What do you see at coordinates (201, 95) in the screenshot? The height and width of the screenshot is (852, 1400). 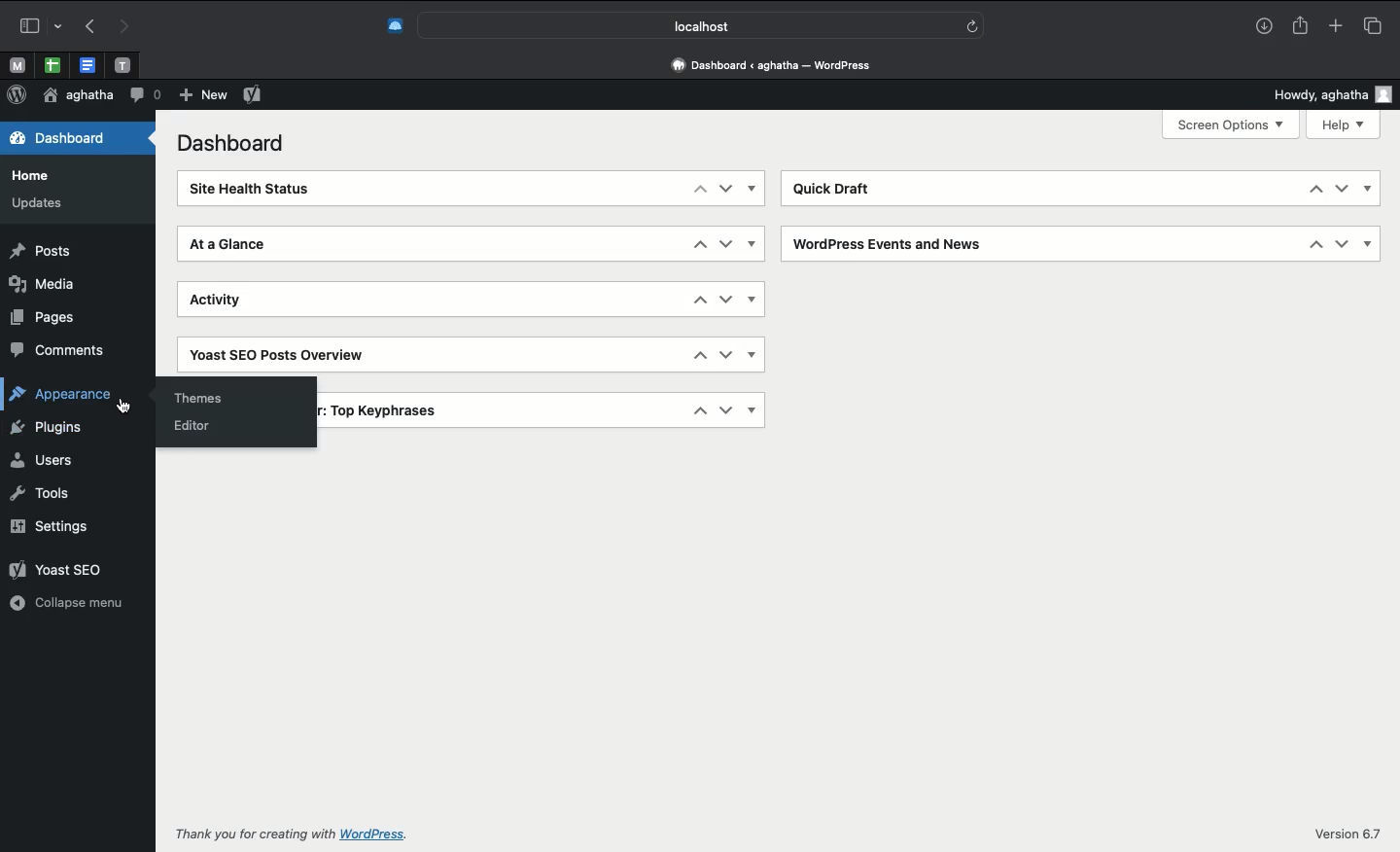 I see `New` at bounding box center [201, 95].